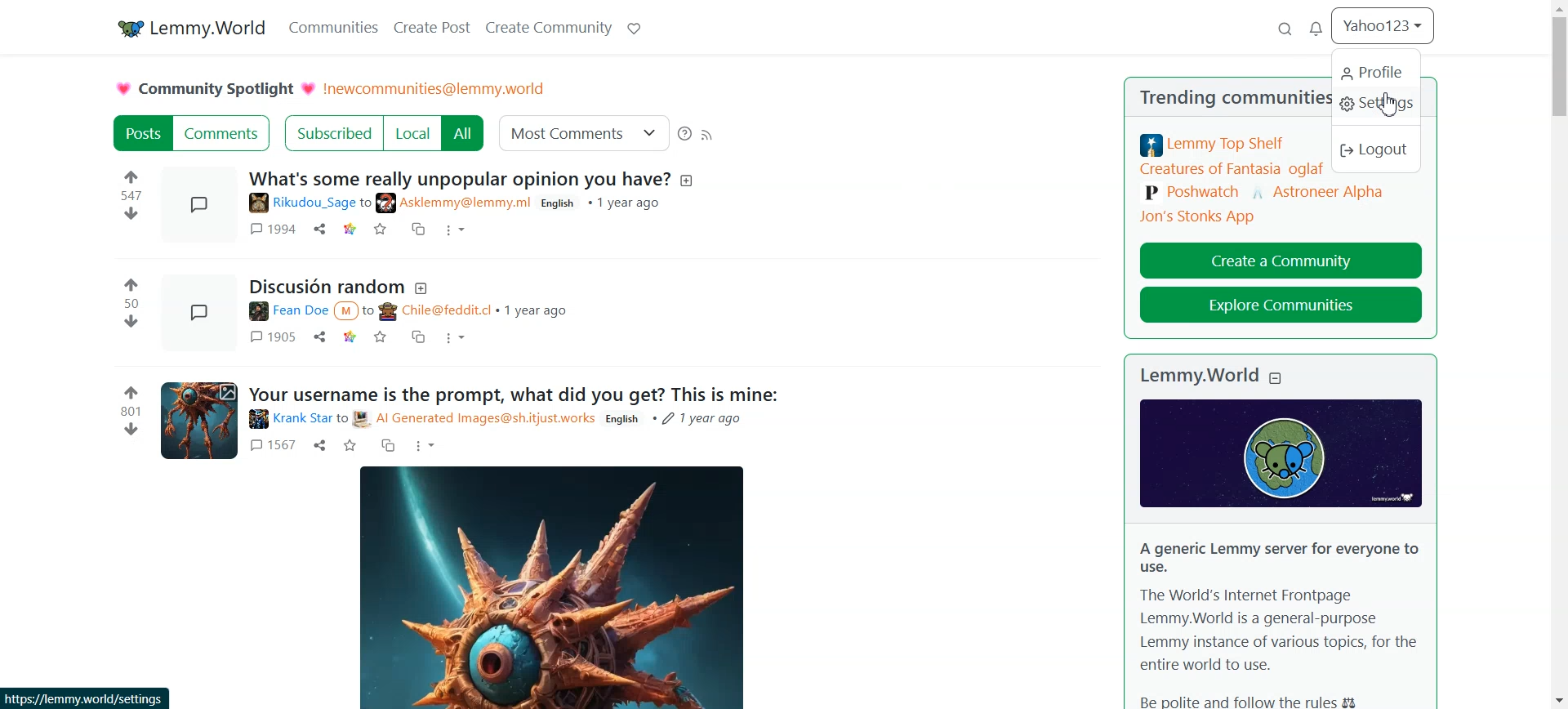 This screenshot has height=709, width=1568. Describe the element at coordinates (1316, 30) in the screenshot. I see `notifications` at that location.